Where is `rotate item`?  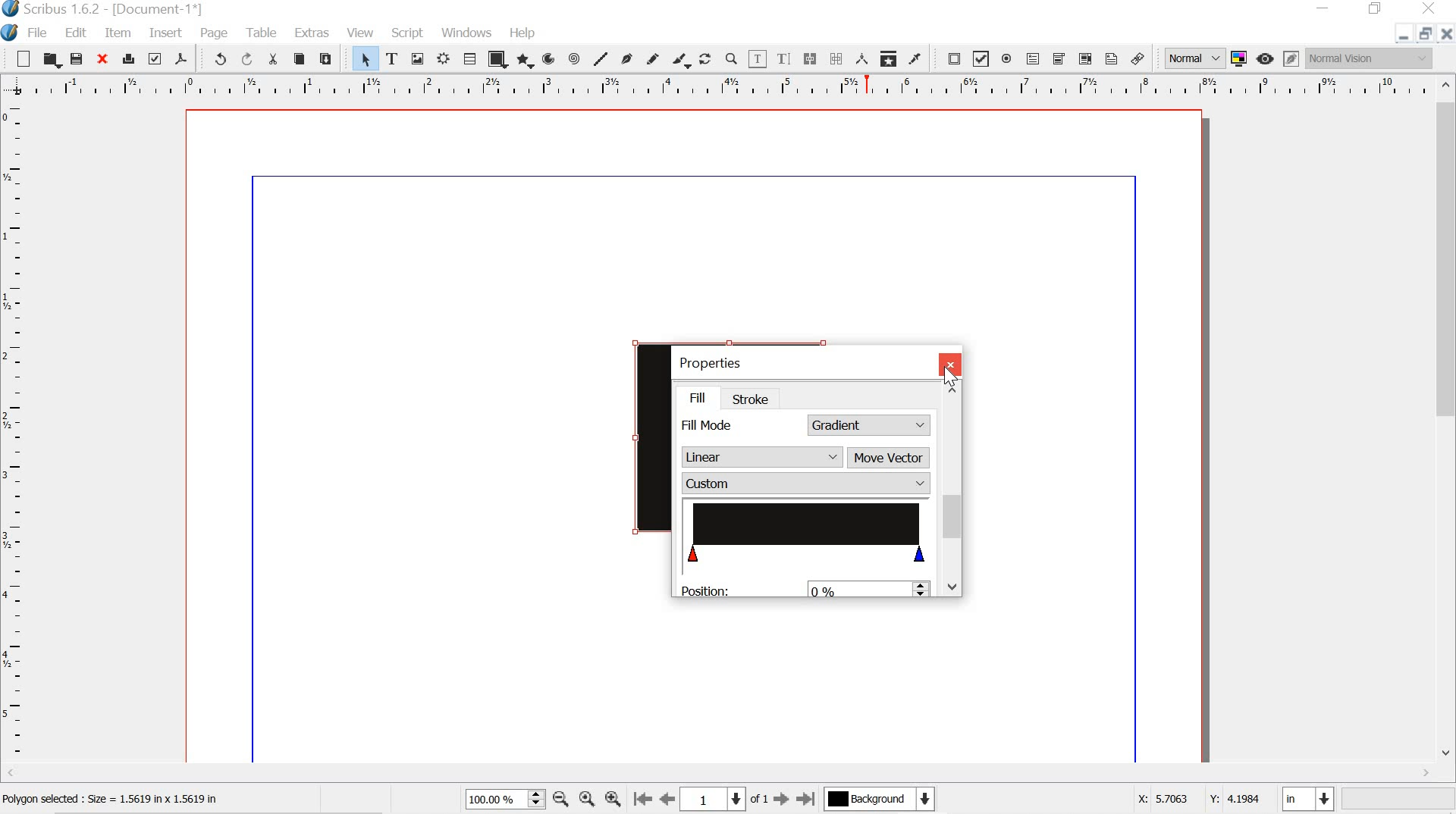
rotate item is located at coordinates (705, 58).